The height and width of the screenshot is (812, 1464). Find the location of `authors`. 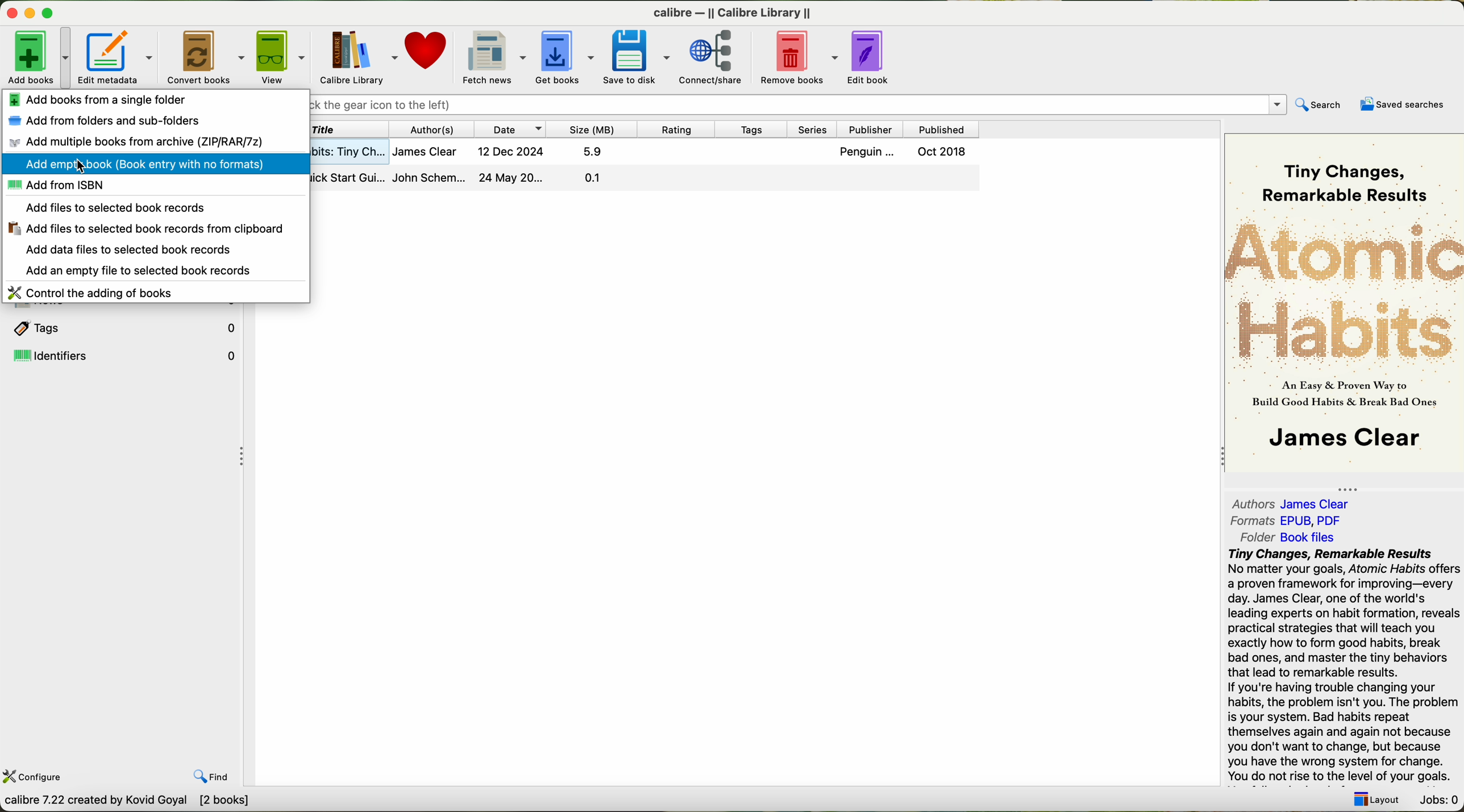

authors is located at coordinates (1296, 503).